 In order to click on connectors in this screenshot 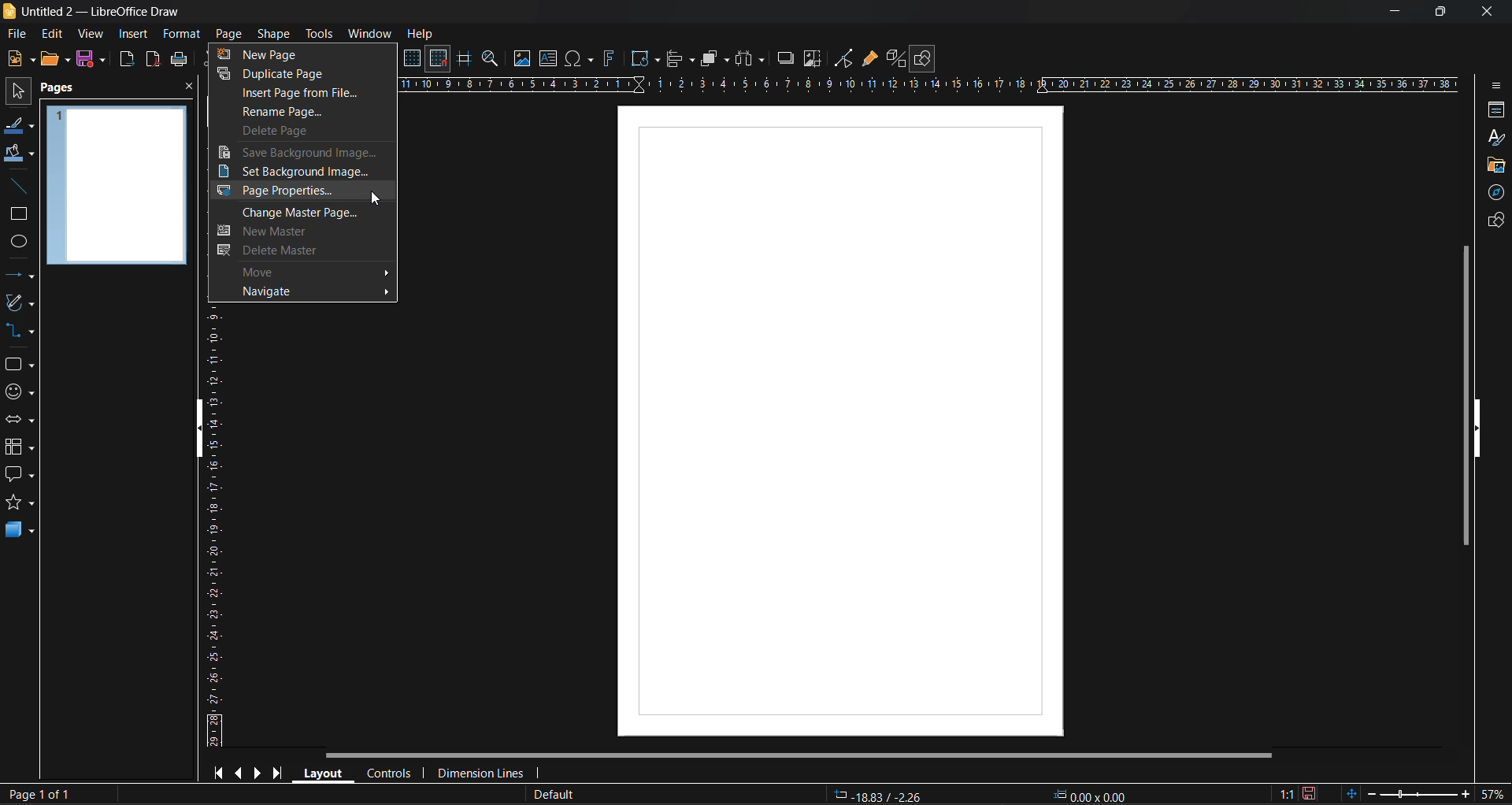, I will do `click(22, 332)`.